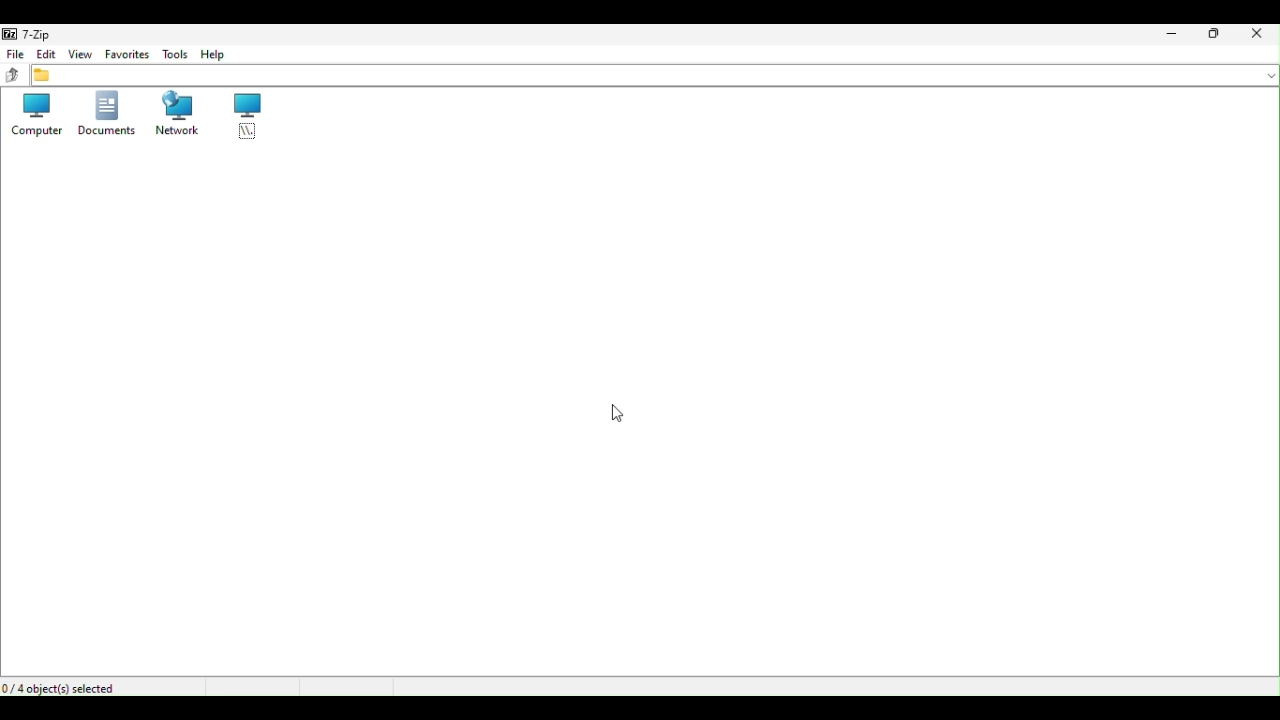 Image resolution: width=1280 pixels, height=720 pixels. I want to click on File , so click(14, 54).